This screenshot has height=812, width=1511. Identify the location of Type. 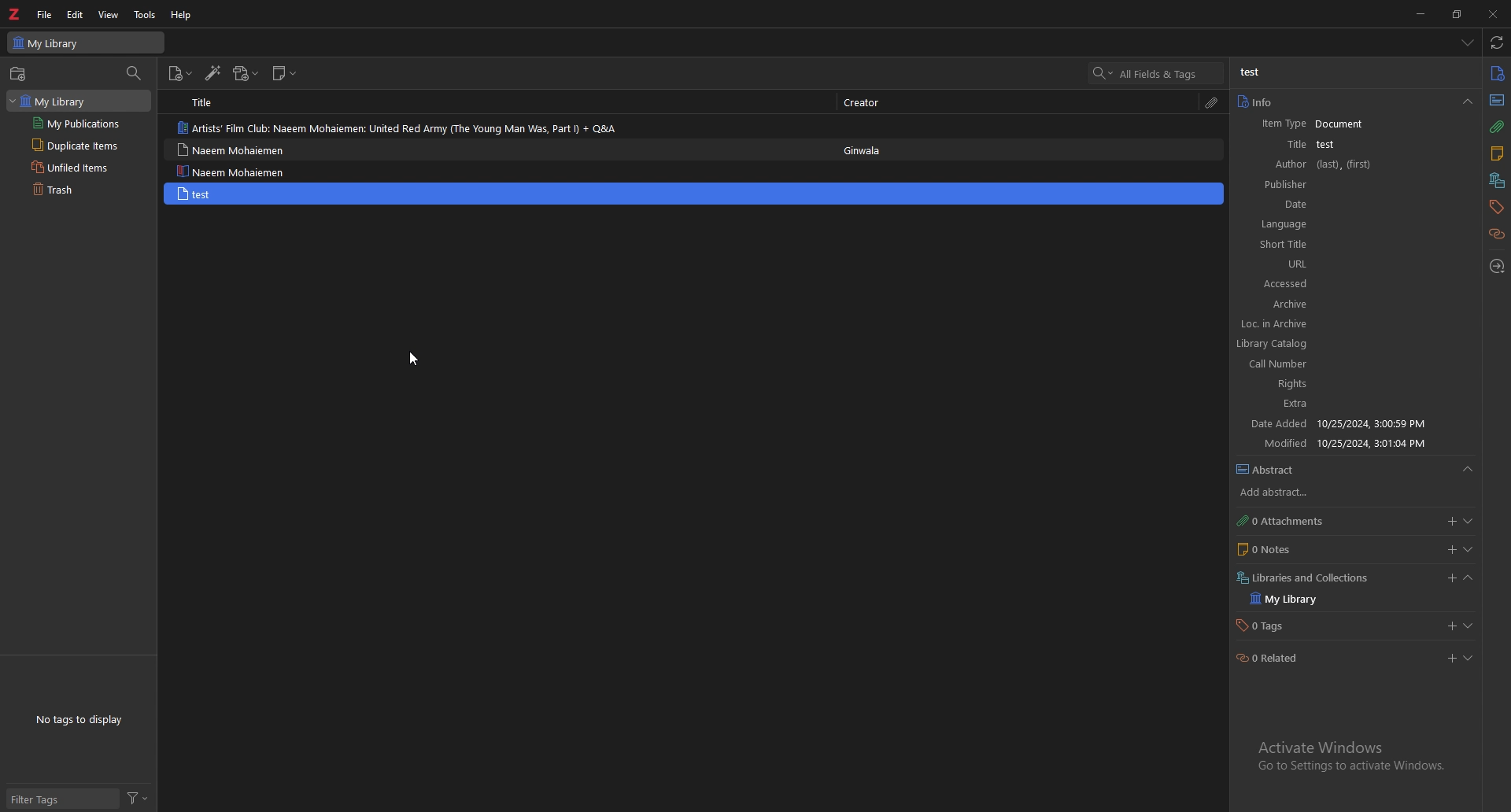
(1498, 101).